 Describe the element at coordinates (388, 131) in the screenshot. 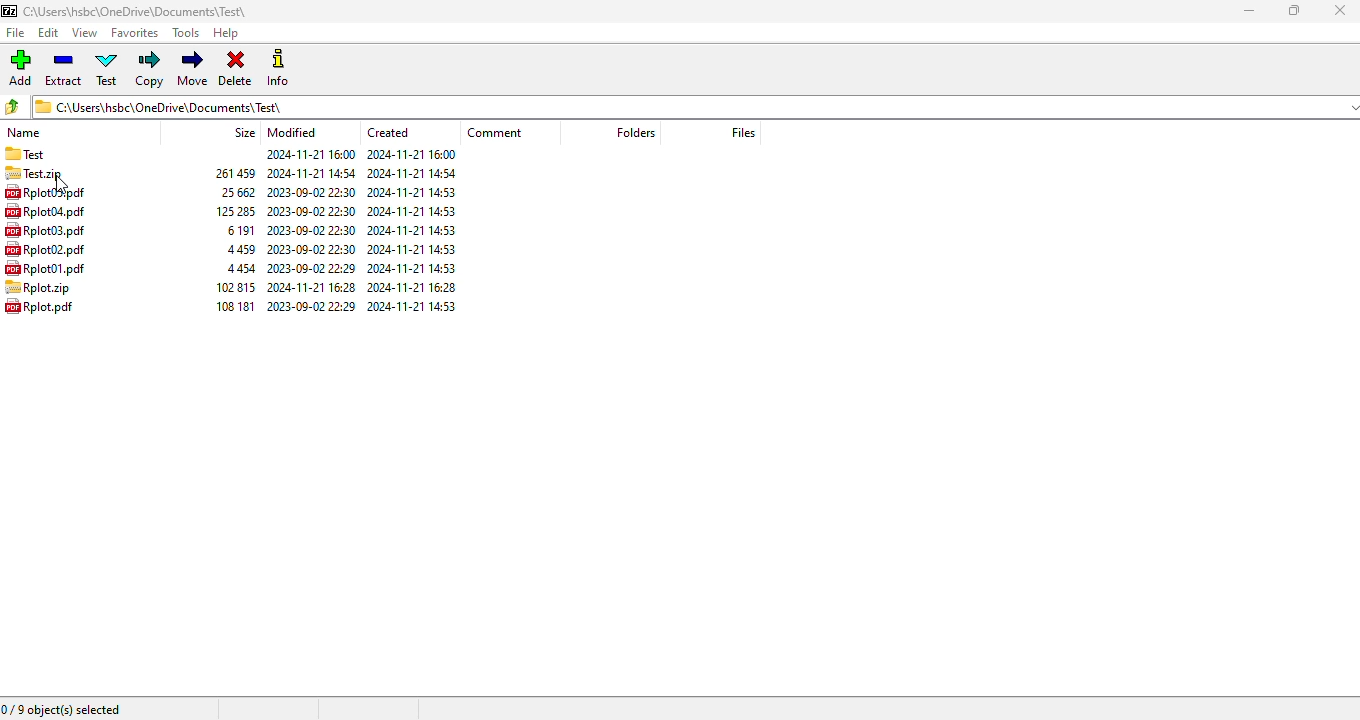

I see `created` at that location.